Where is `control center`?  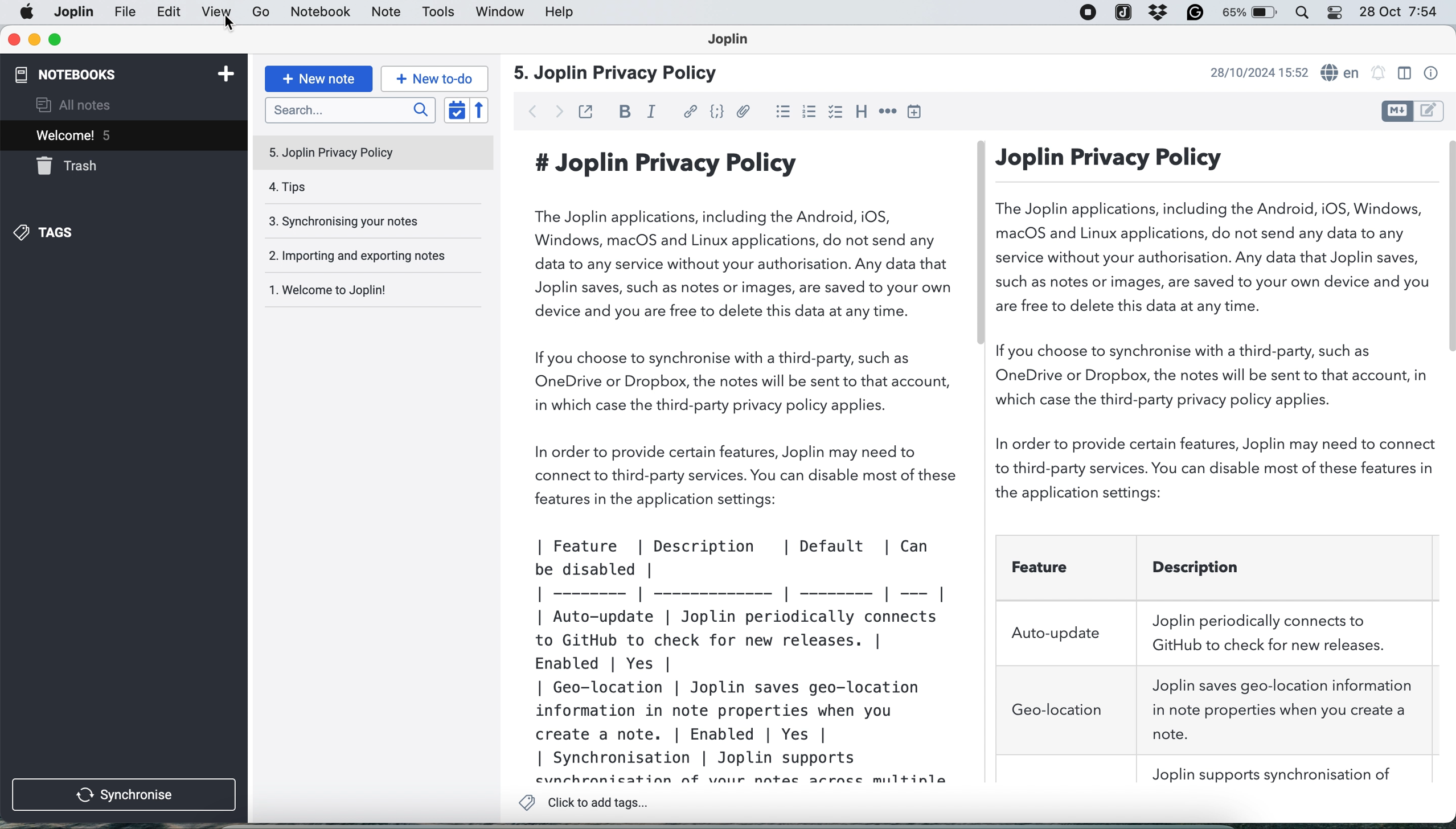 control center is located at coordinates (1307, 13).